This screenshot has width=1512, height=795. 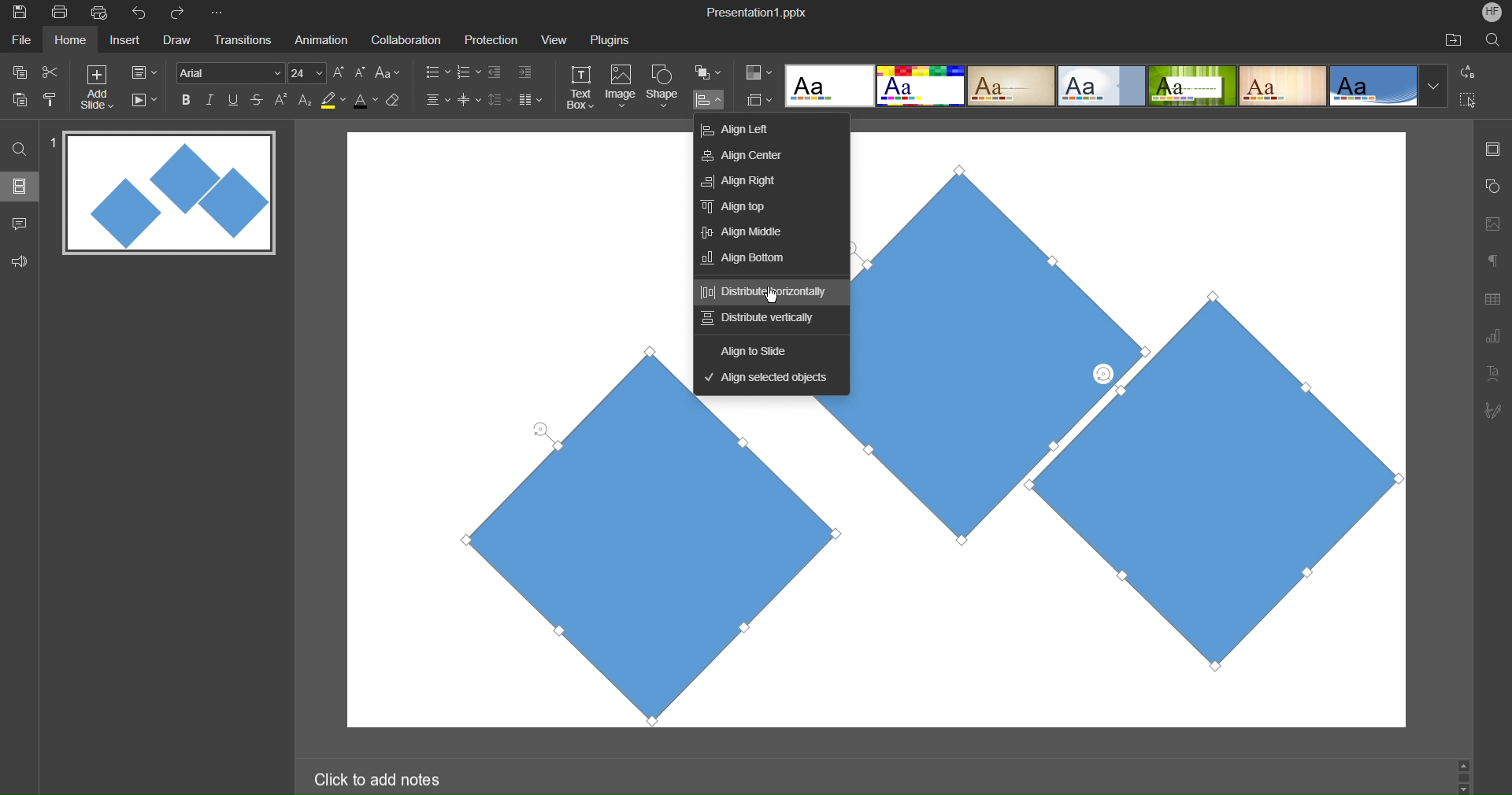 What do you see at coordinates (470, 99) in the screenshot?
I see `Vertical Align` at bounding box center [470, 99].